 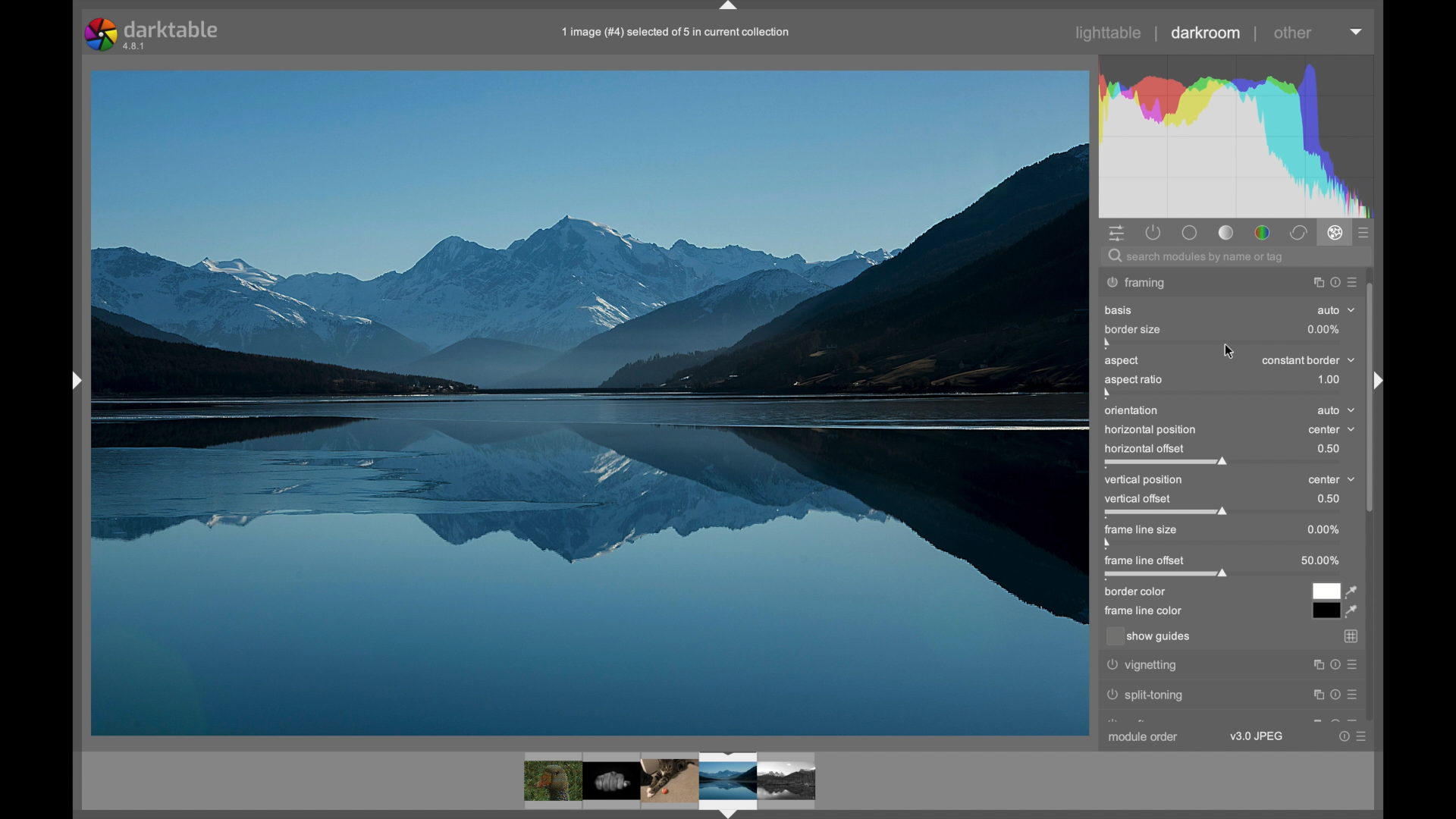 I want to click on tone, so click(x=1188, y=233).